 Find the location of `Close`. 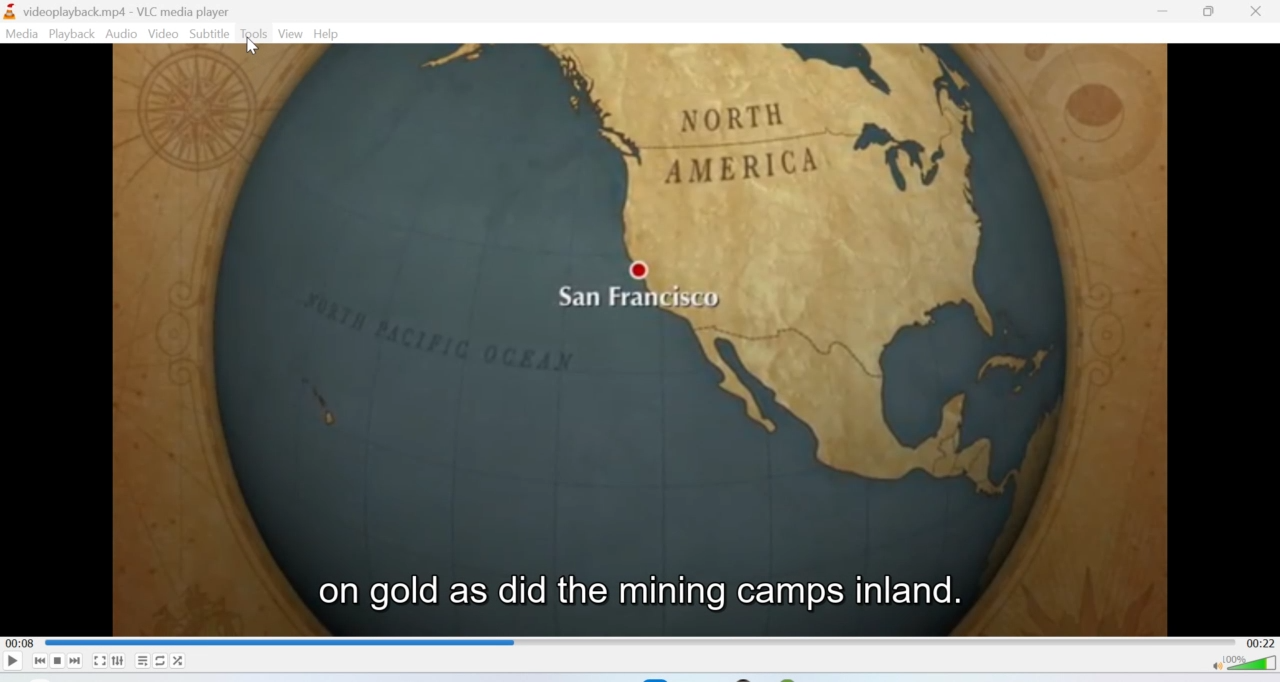

Close is located at coordinates (1258, 11).